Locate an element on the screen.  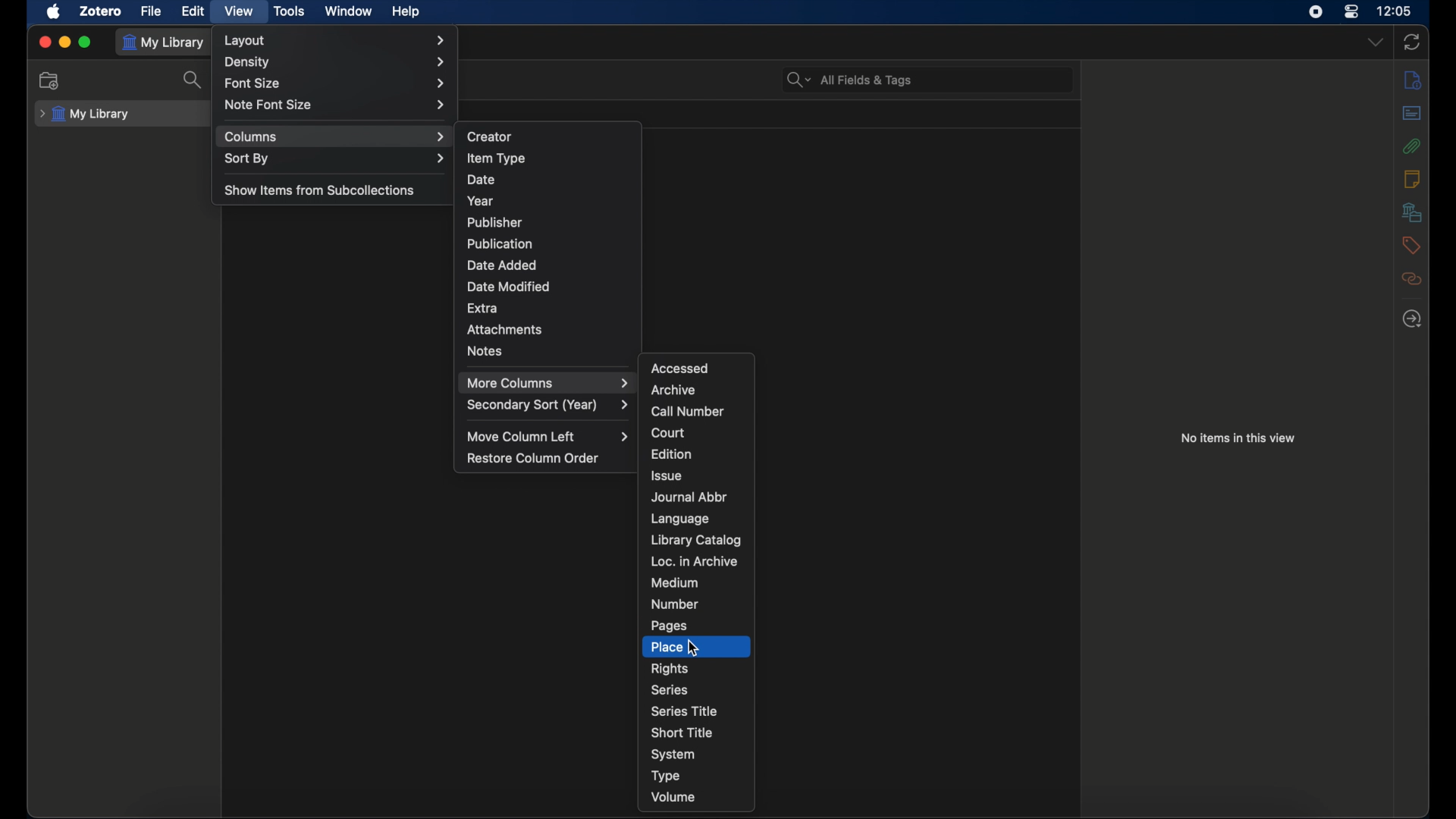
new collection is located at coordinates (49, 80).